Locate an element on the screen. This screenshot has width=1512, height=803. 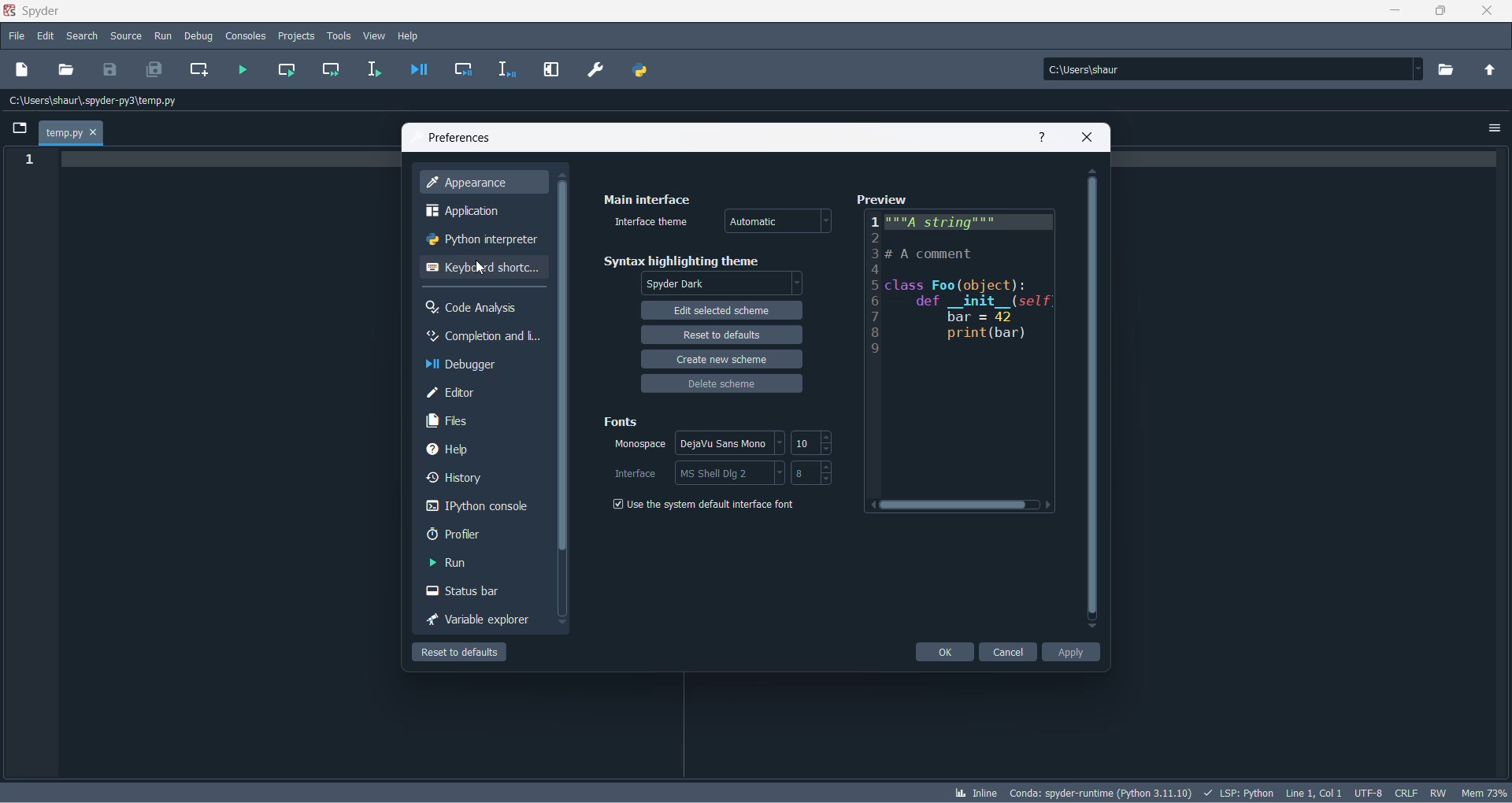
files is located at coordinates (476, 420).